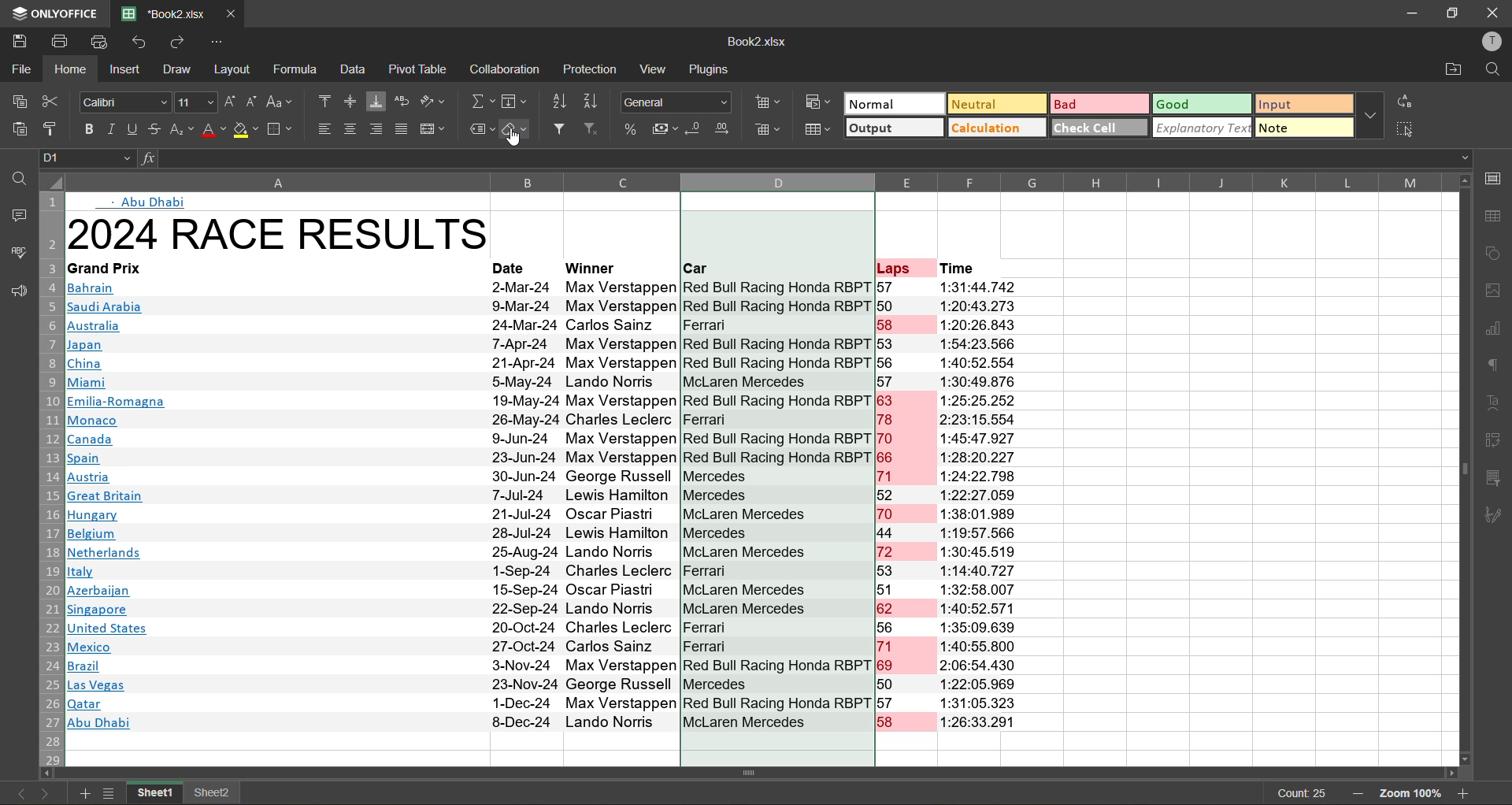 This screenshot has height=805, width=1512. What do you see at coordinates (235, 69) in the screenshot?
I see `layout` at bounding box center [235, 69].